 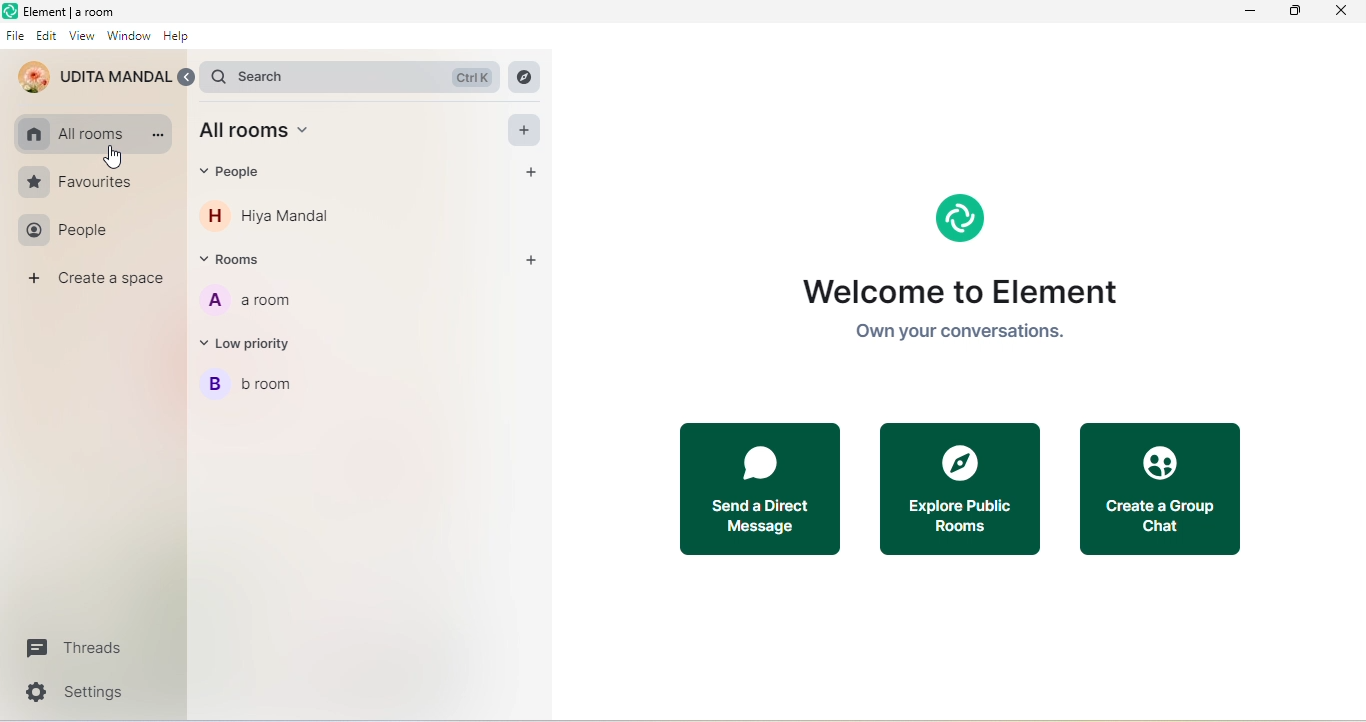 What do you see at coordinates (1159, 490) in the screenshot?
I see `Create a group` at bounding box center [1159, 490].